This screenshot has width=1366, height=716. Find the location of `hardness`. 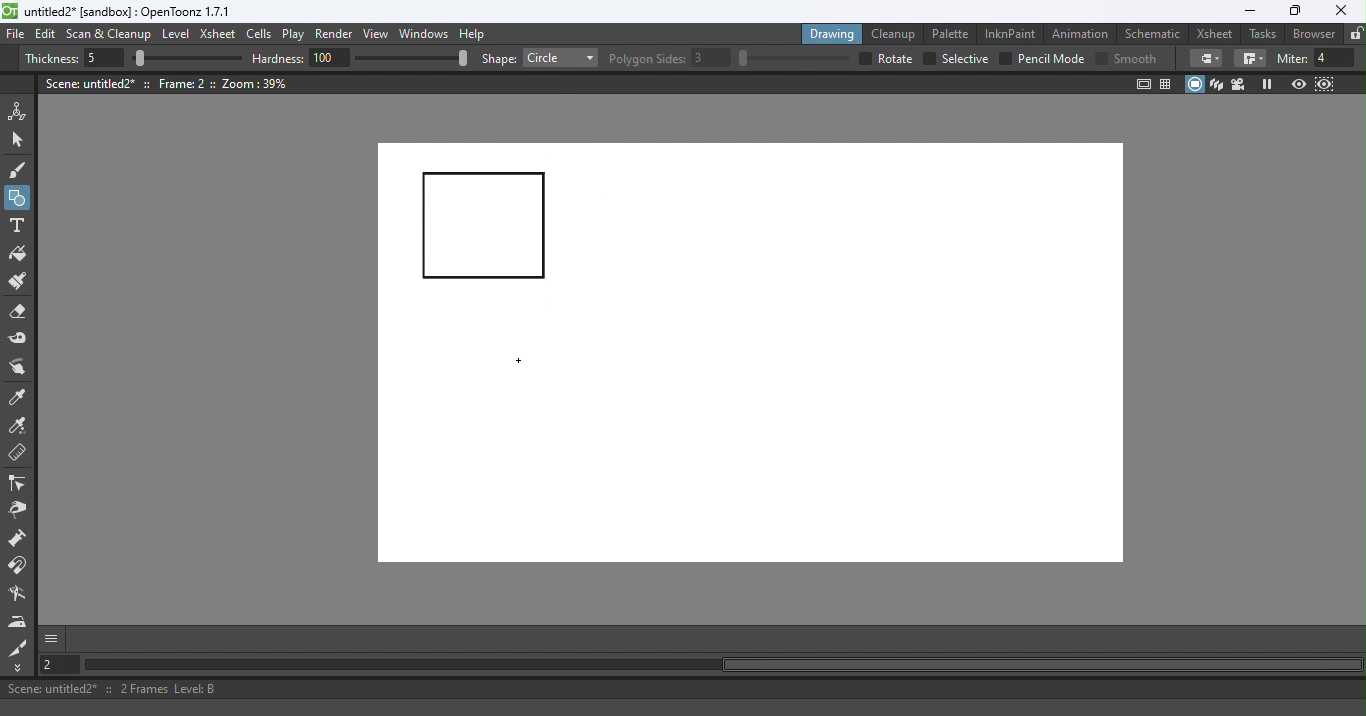

hardness is located at coordinates (280, 58).